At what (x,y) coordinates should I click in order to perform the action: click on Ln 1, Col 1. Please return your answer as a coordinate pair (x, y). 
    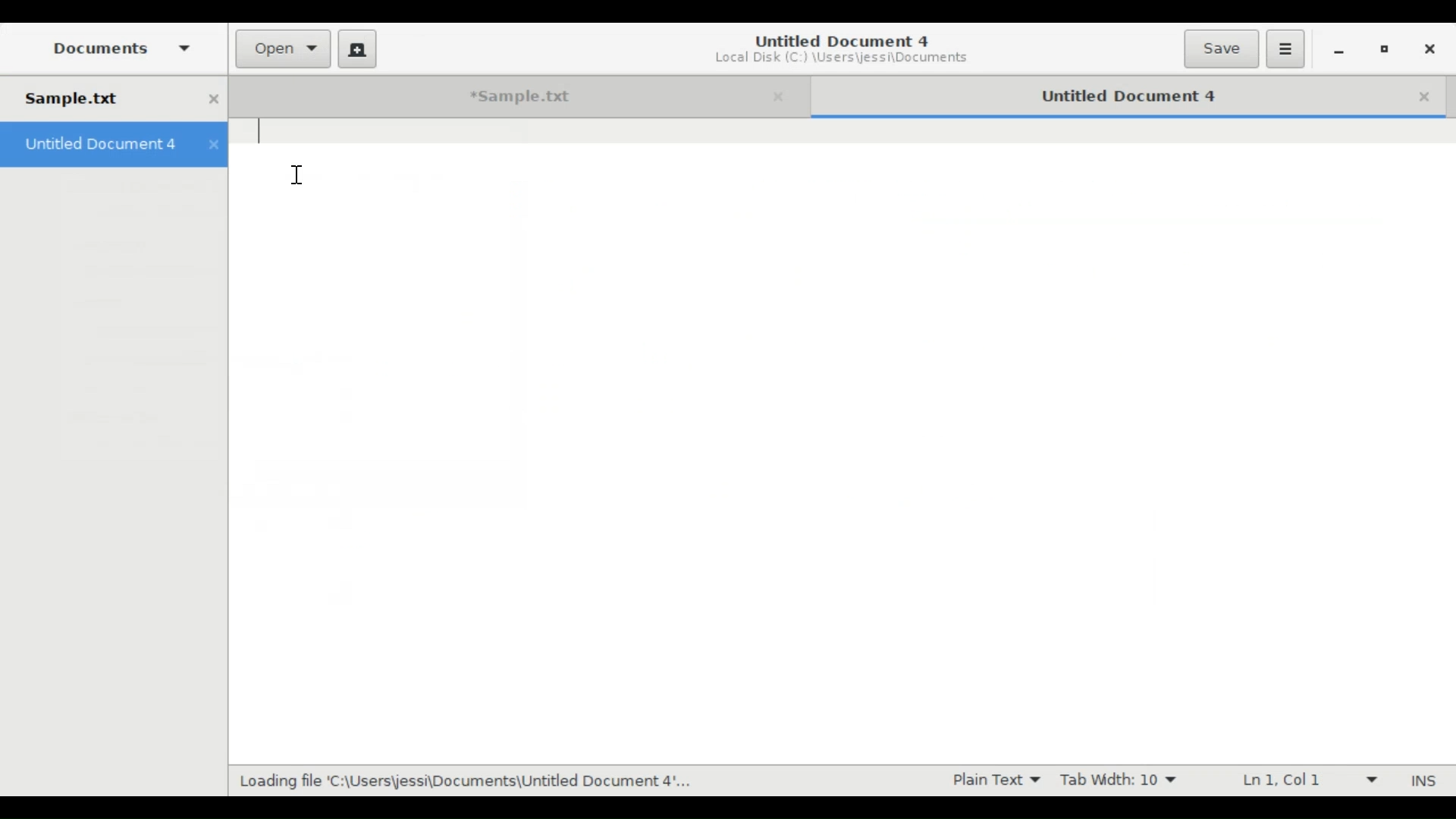
    Looking at the image, I should click on (1301, 779).